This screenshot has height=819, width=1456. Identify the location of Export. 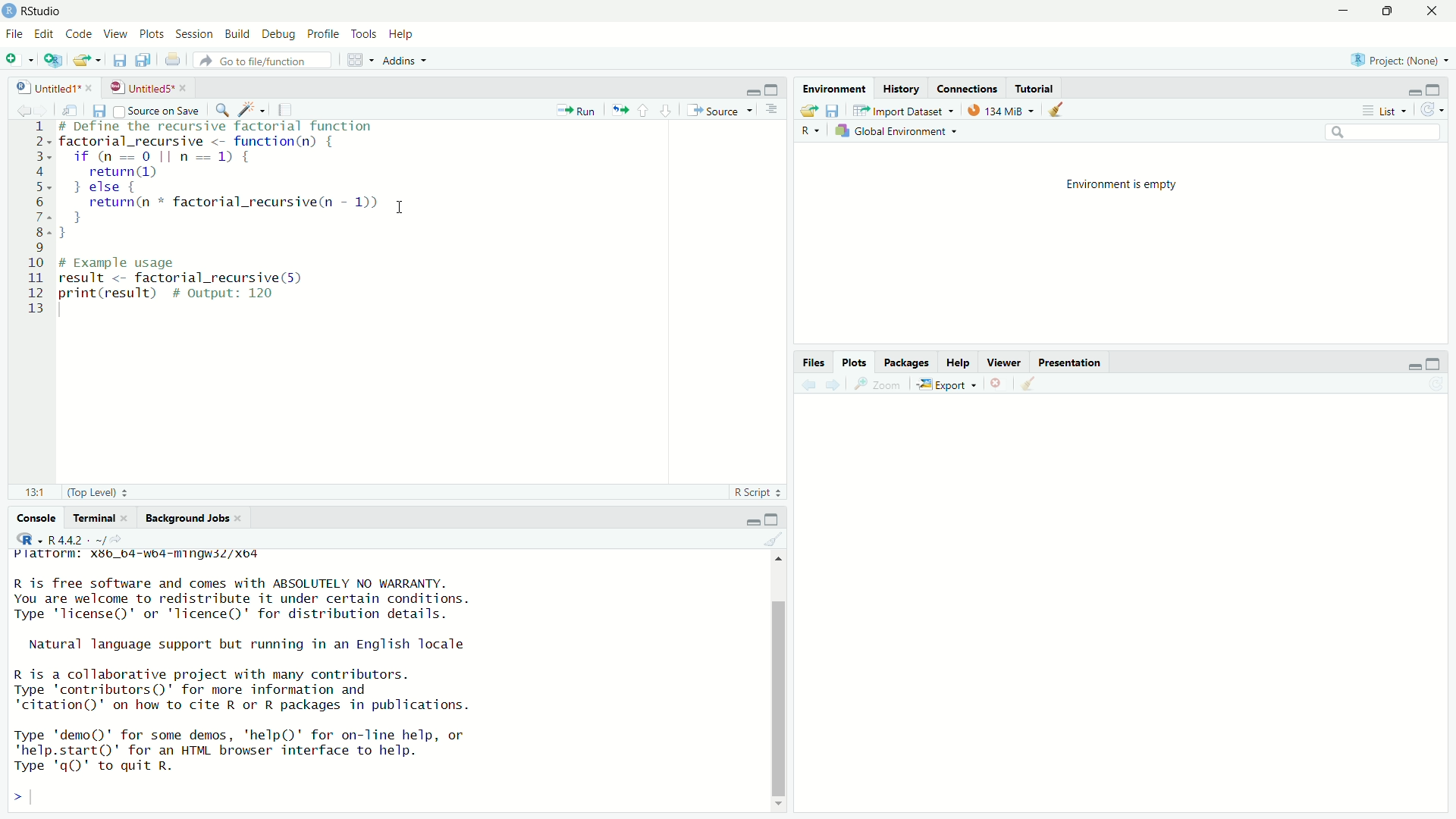
(949, 383).